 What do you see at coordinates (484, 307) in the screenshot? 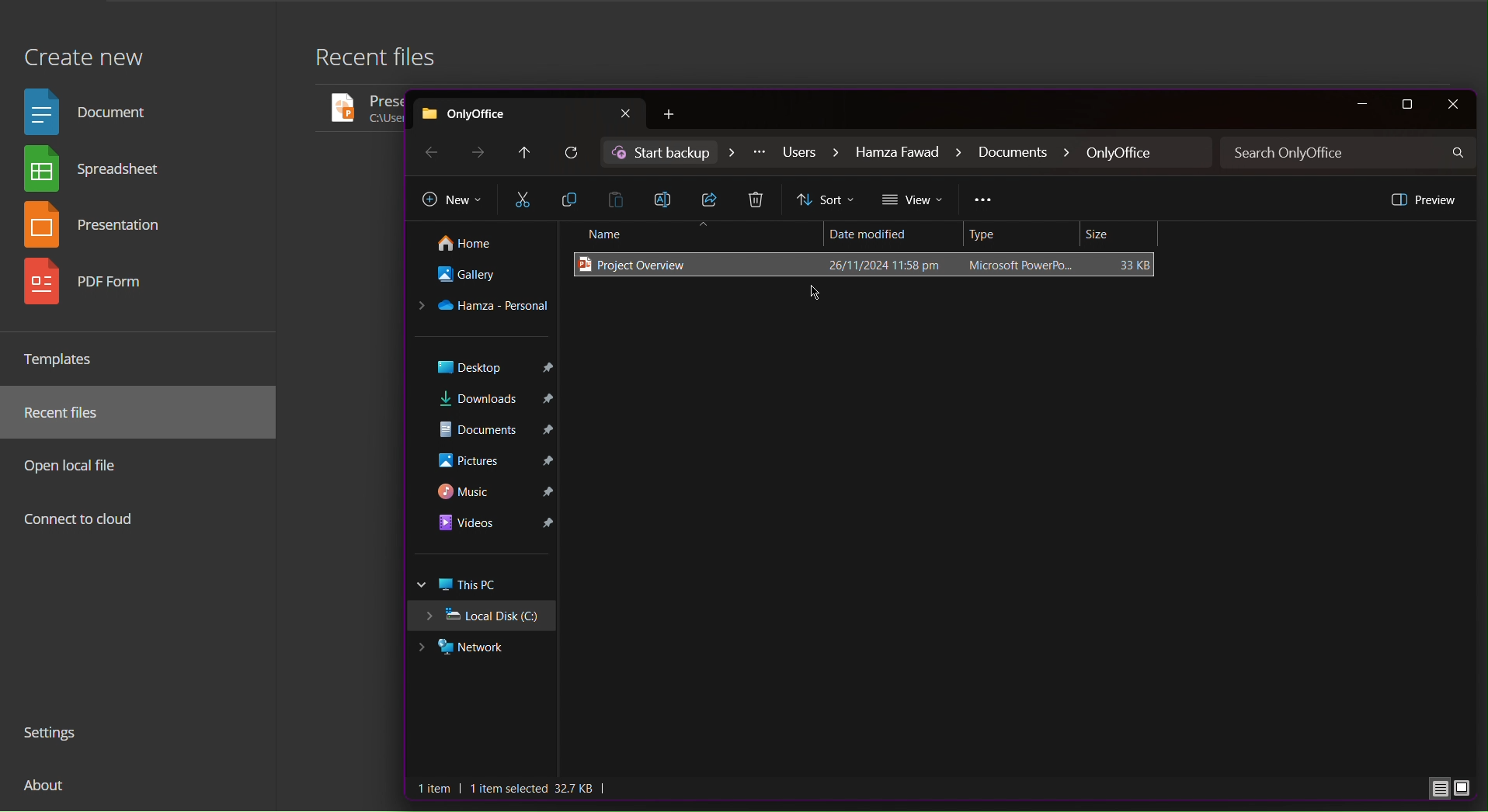
I see `OneDrive` at bounding box center [484, 307].